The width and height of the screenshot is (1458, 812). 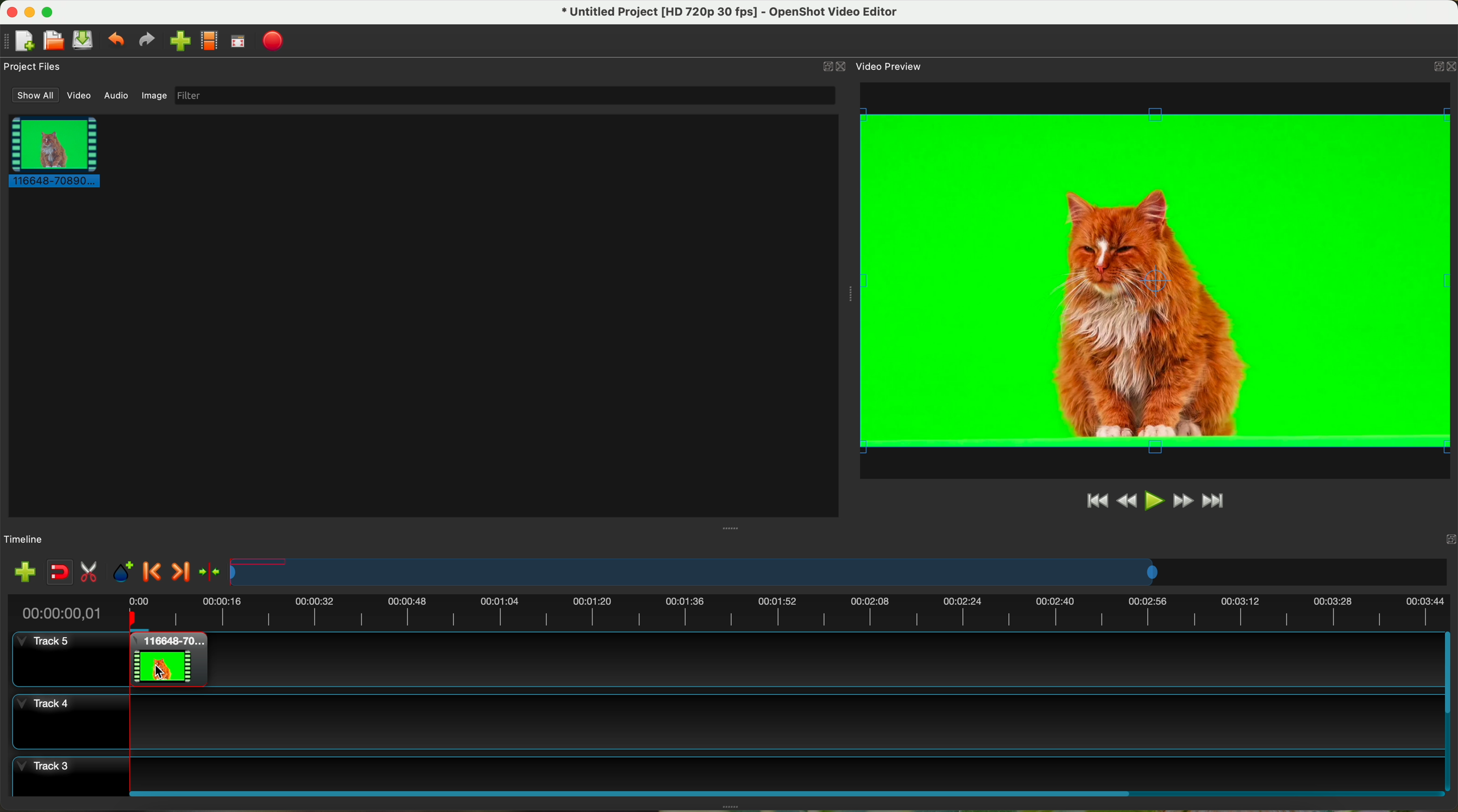 What do you see at coordinates (784, 792) in the screenshot?
I see `scroll bar` at bounding box center [784, 792].